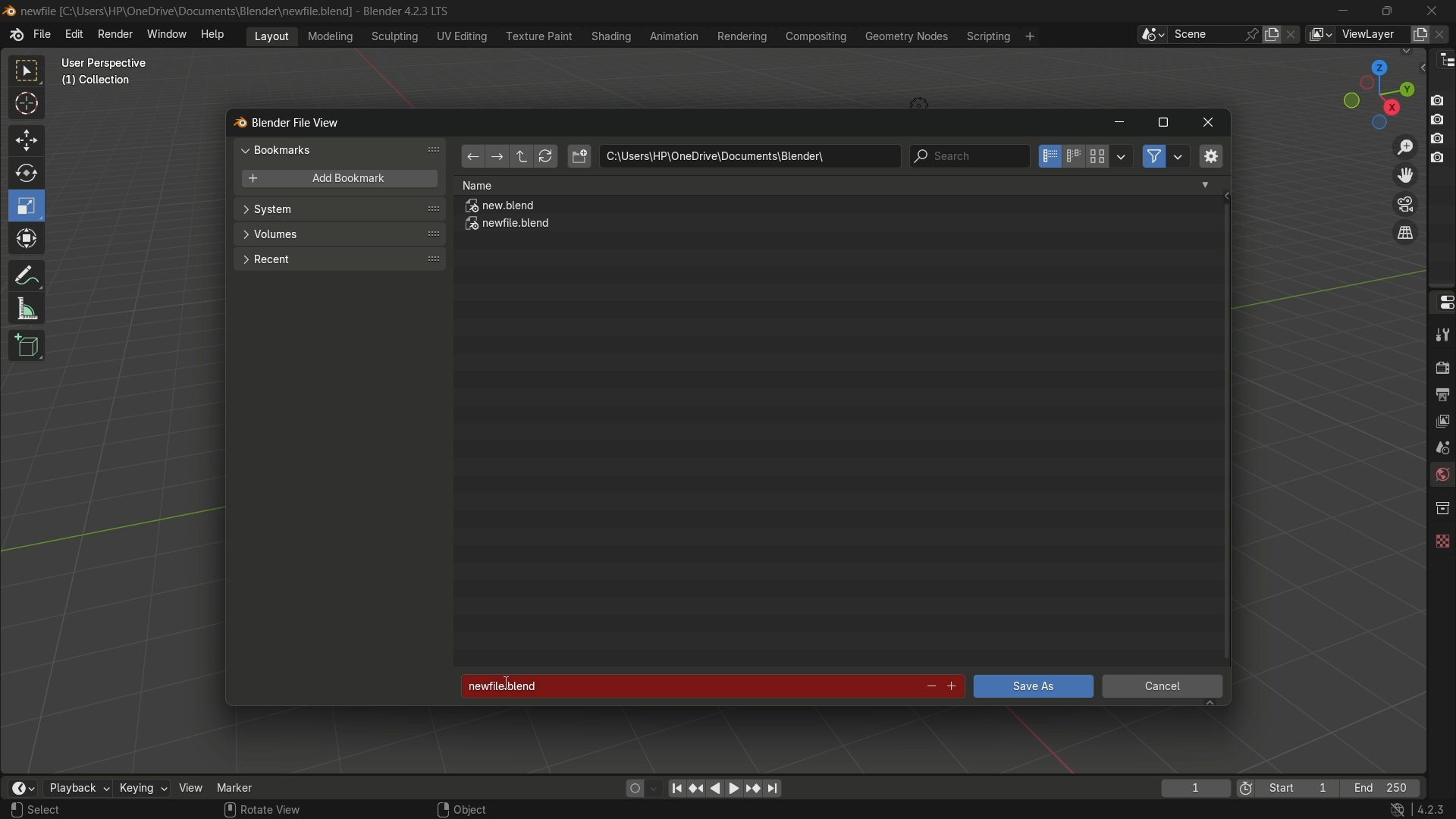 The width and height of the screenshot is (1456, 819). I want to click on filter files, so click(1153, 156).